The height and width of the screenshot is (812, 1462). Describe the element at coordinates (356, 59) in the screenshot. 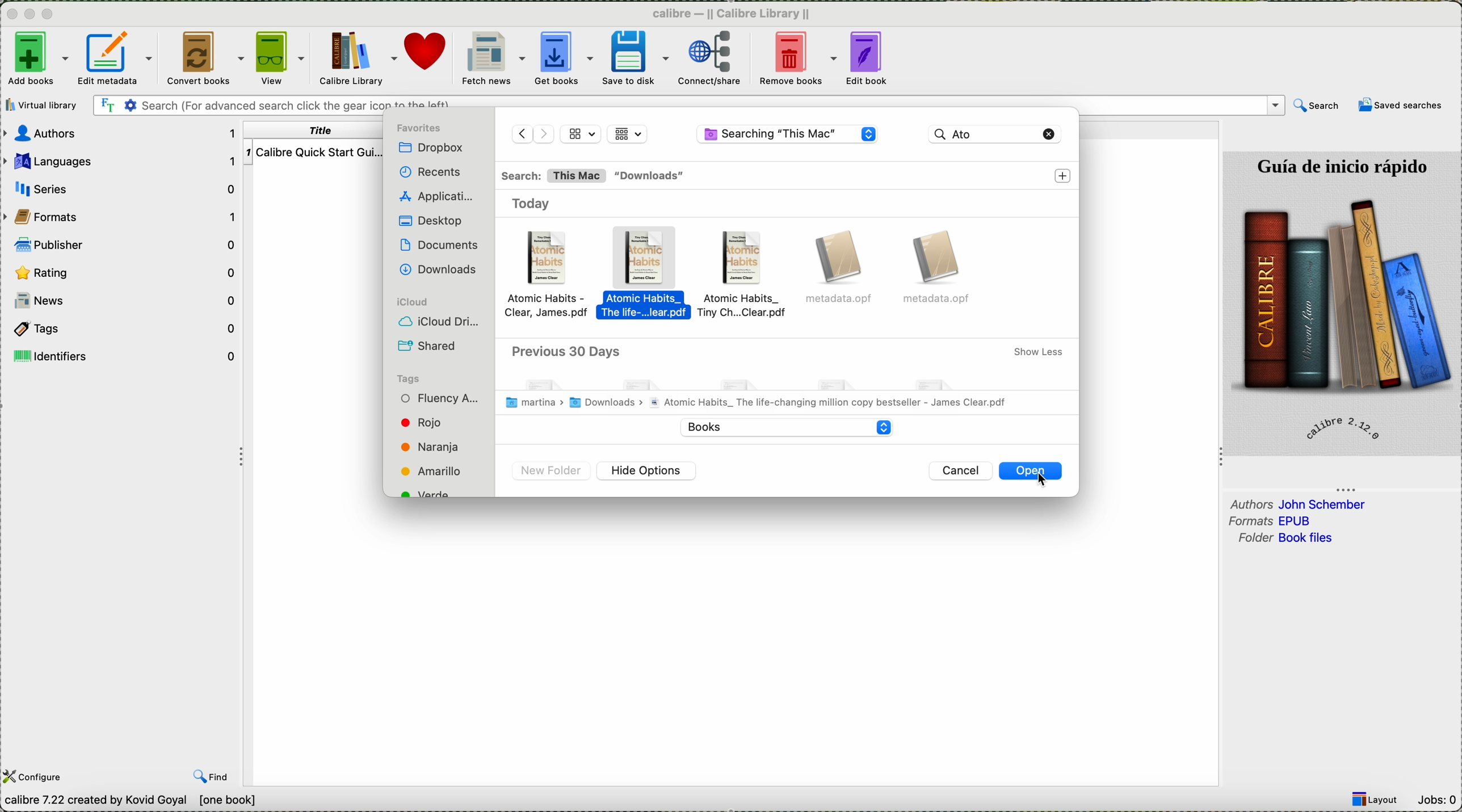

I see `Calibre library` at that location.